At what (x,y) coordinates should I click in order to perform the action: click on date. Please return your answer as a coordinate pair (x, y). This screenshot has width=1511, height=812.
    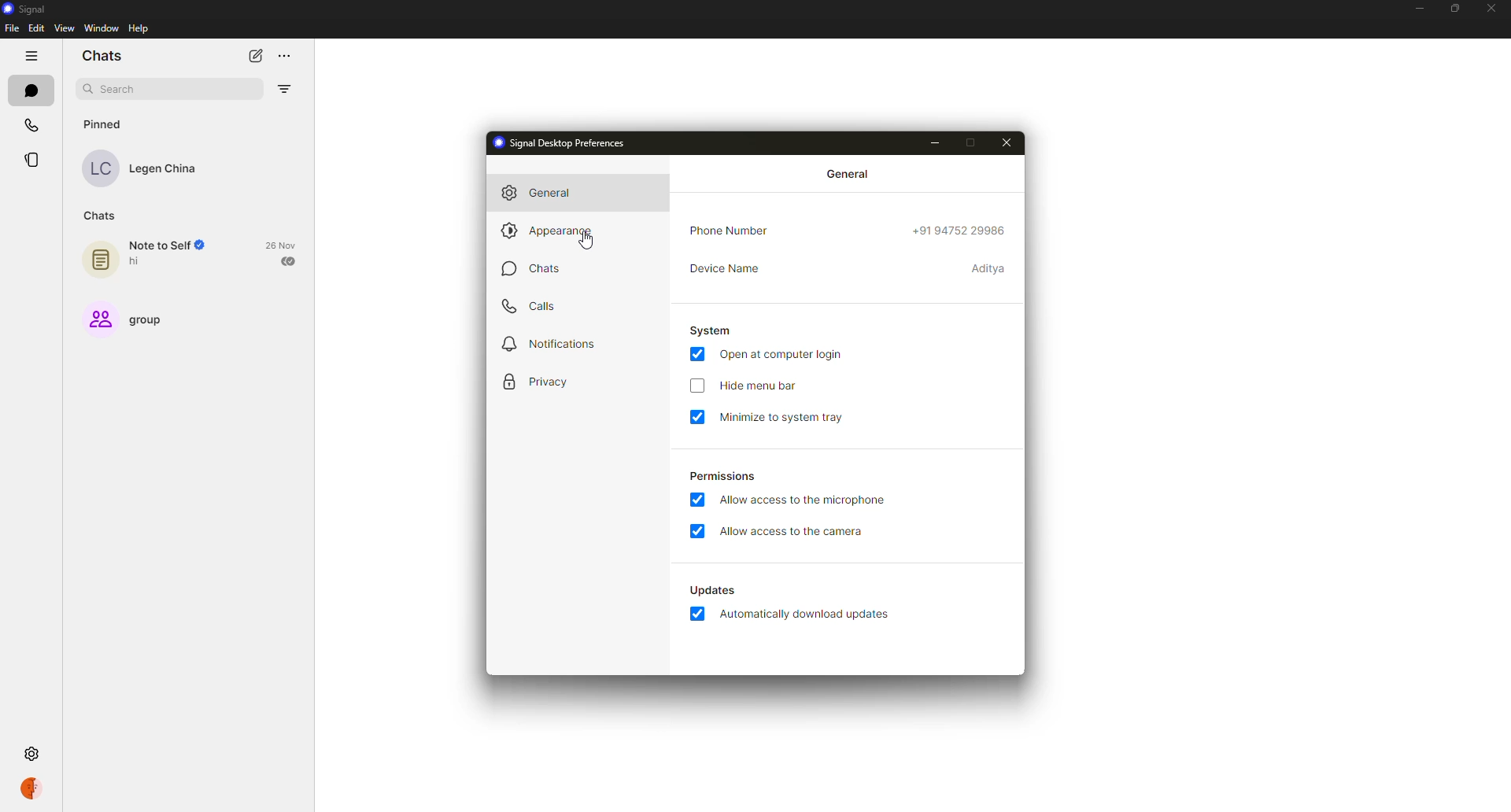
    Looking at the image, I should click on (281, 244).